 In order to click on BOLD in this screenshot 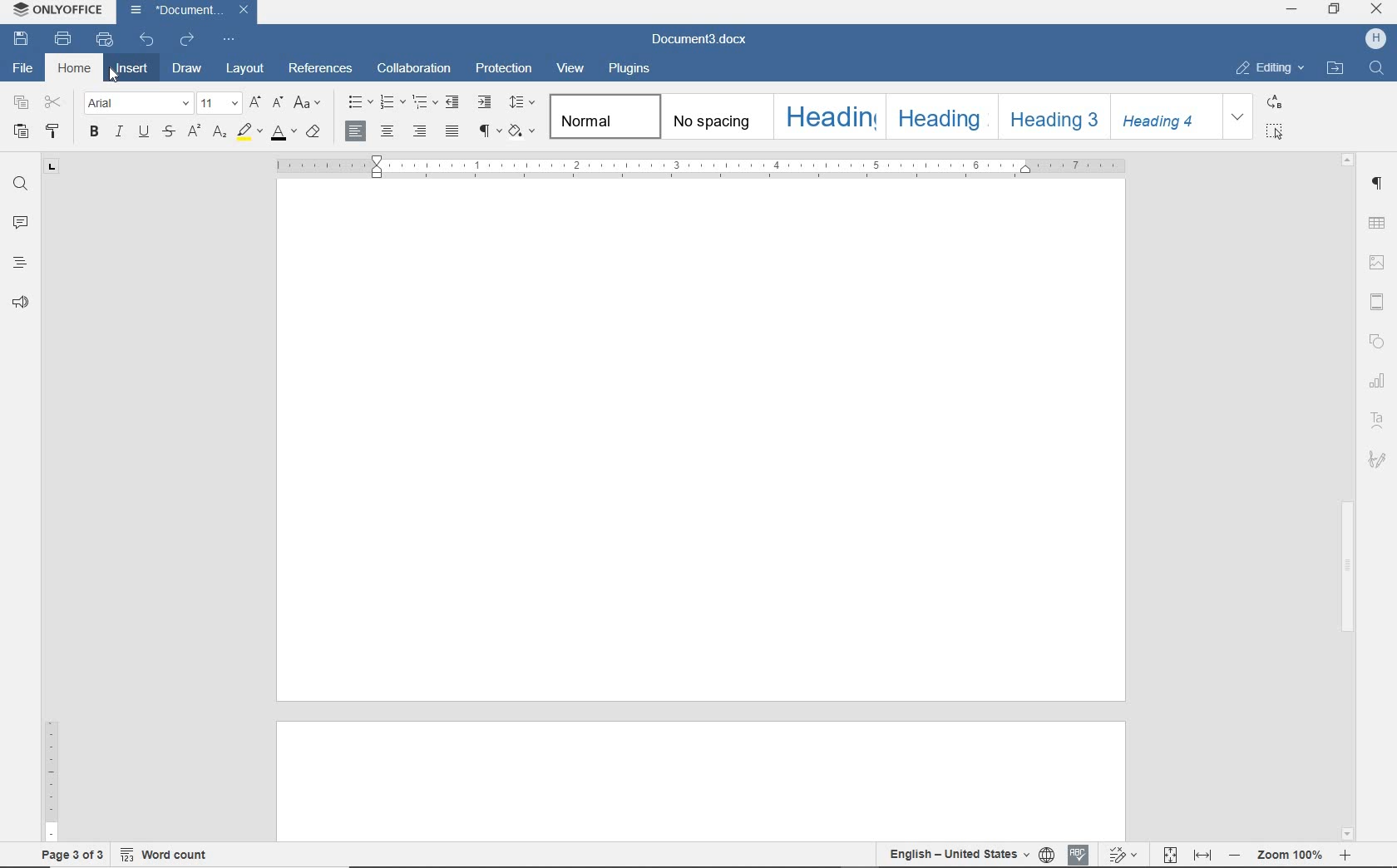, I will do `click(94, 133)`.